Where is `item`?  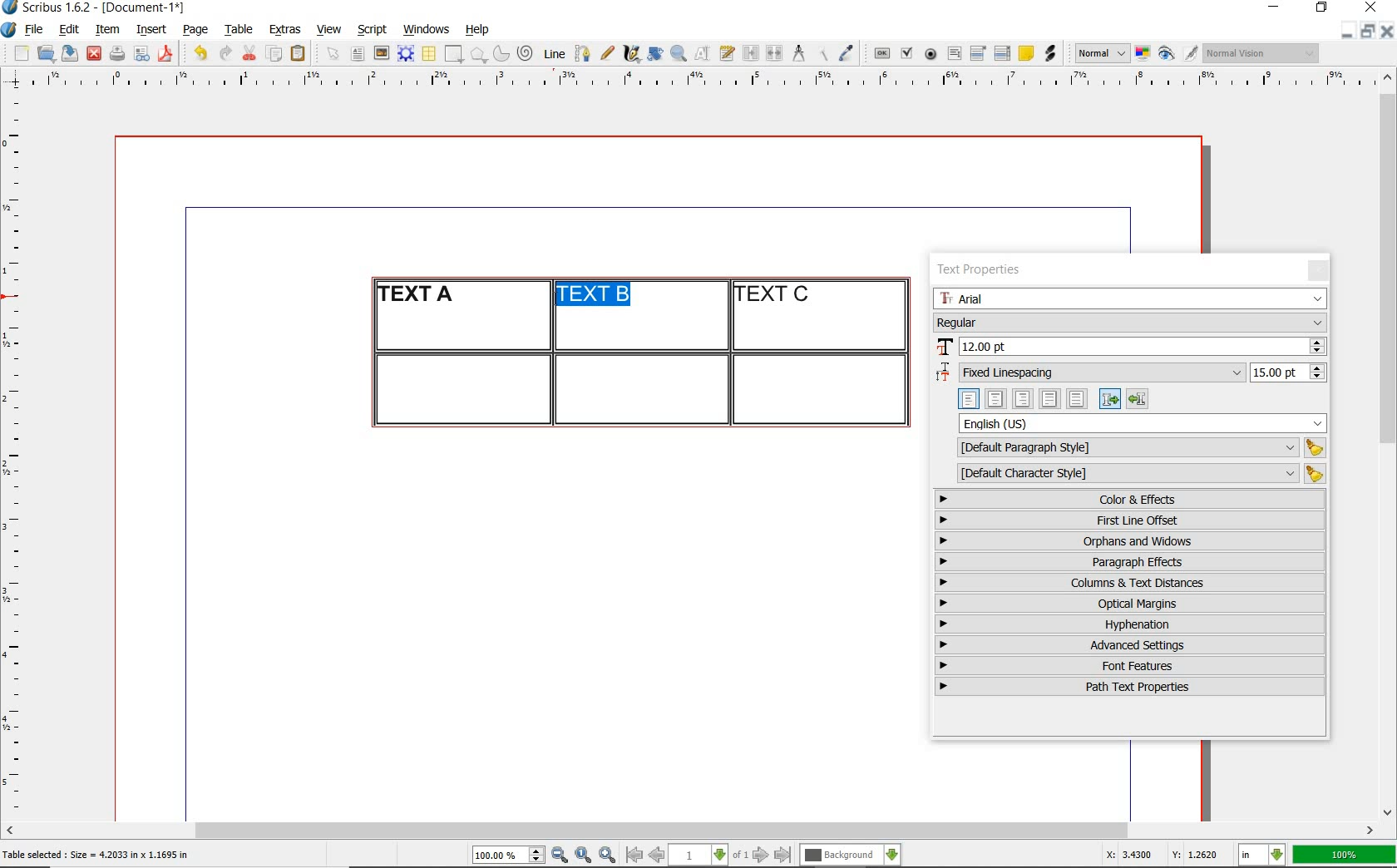
item is located at coordinates (106, 30).